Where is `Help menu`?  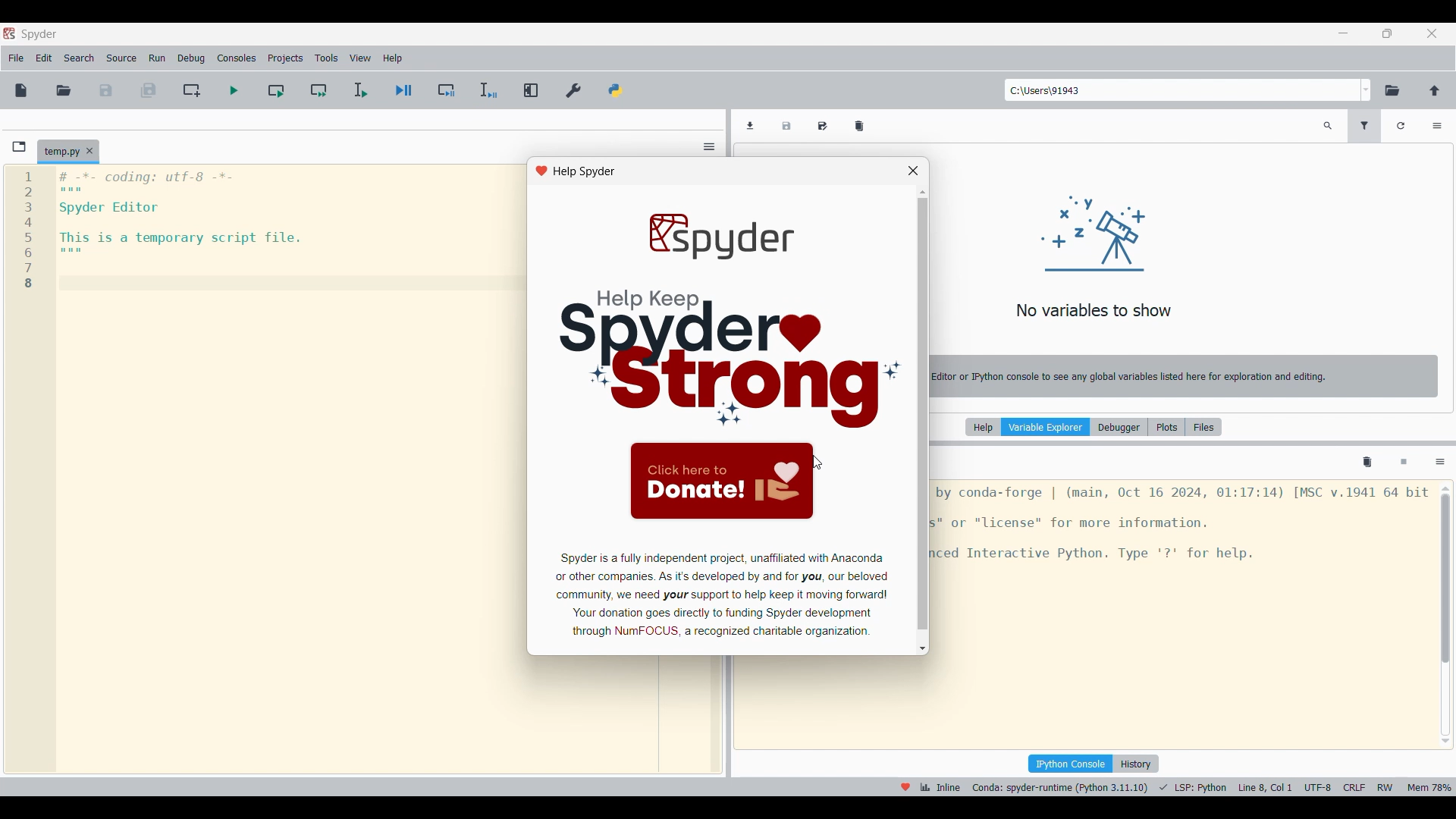
Help menu is located at coordinates (393, 58).